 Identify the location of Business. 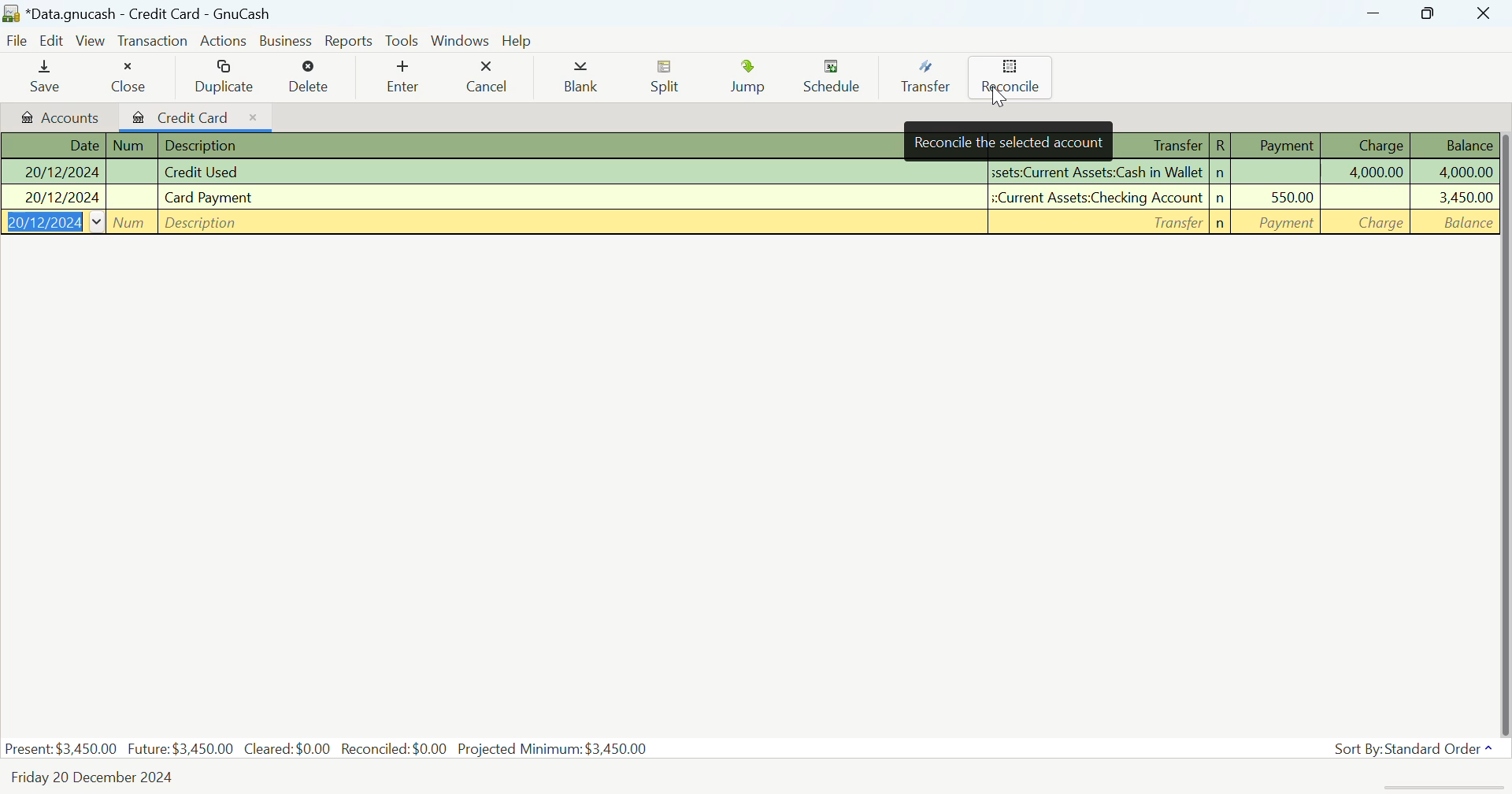
(284, 39).